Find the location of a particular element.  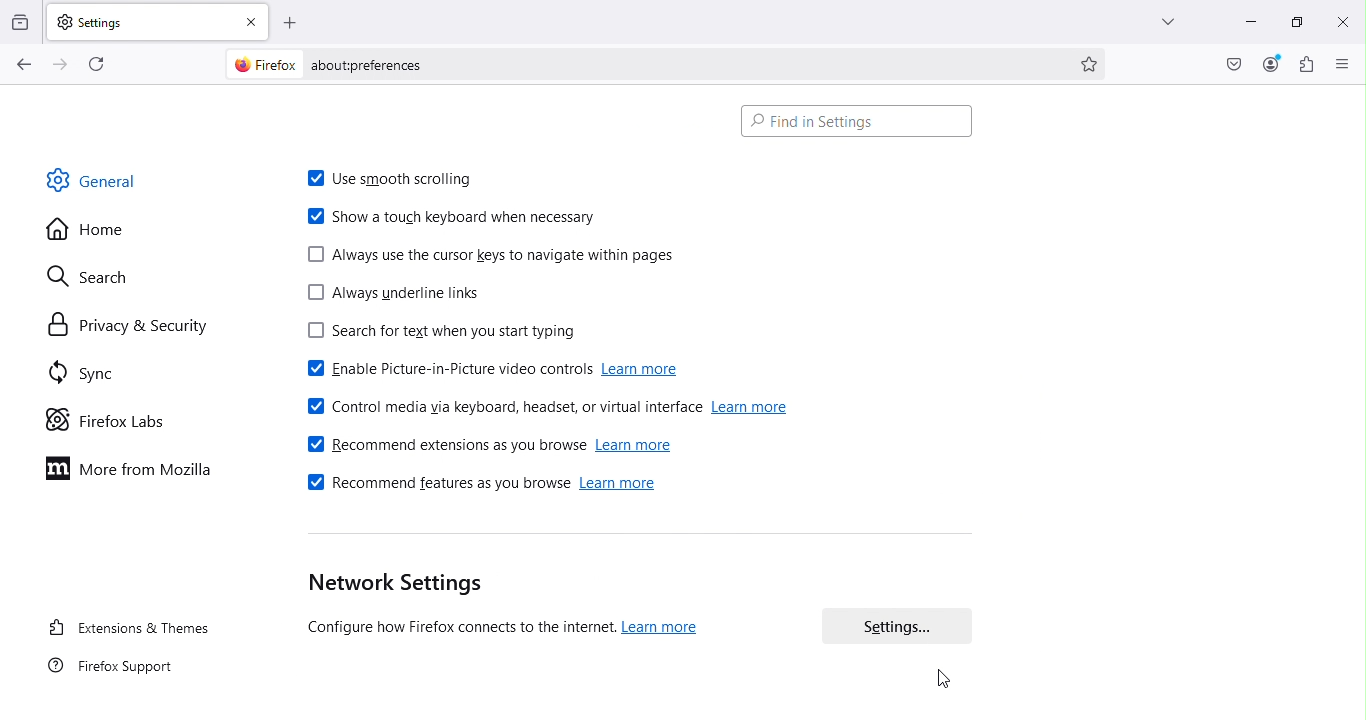

Search for text when you start typing is located at coordinates (440, 333).